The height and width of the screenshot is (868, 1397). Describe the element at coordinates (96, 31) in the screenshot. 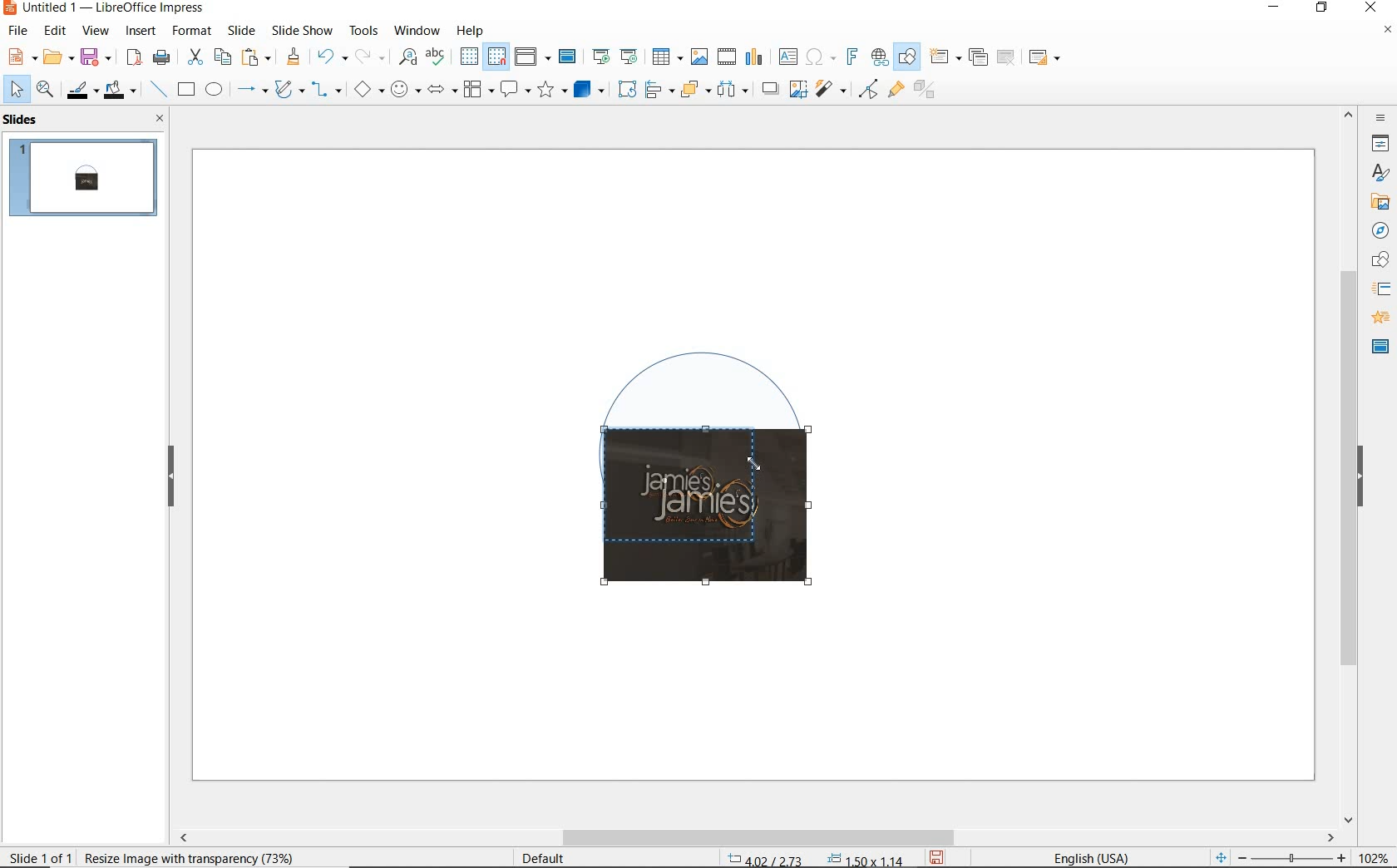

I see `view` at that location.